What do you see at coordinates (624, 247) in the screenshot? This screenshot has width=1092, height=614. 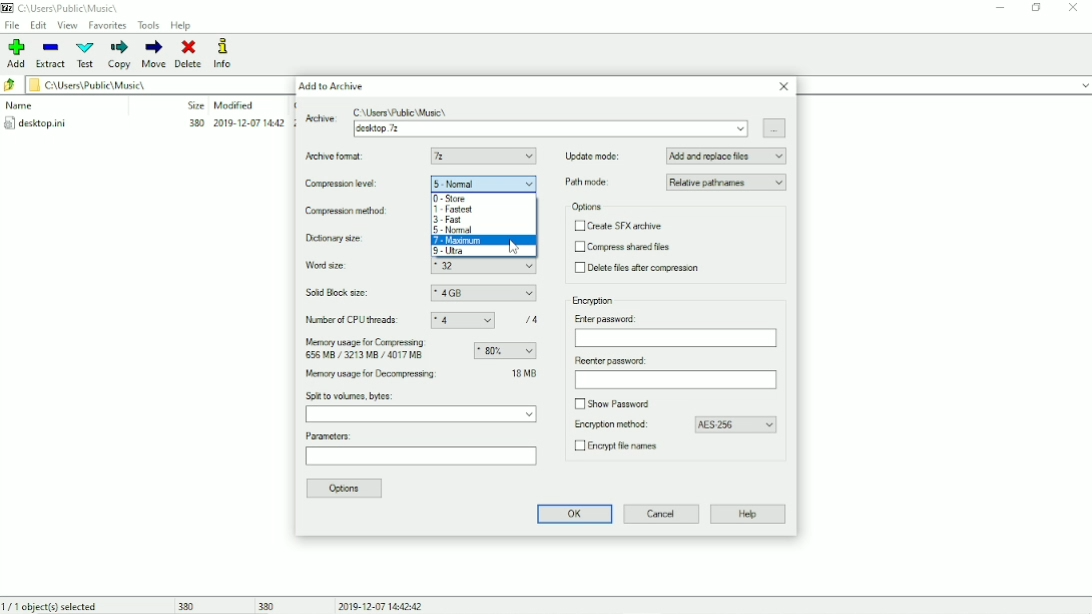 I see `Compress shared files` at bounding box center [624, 247].